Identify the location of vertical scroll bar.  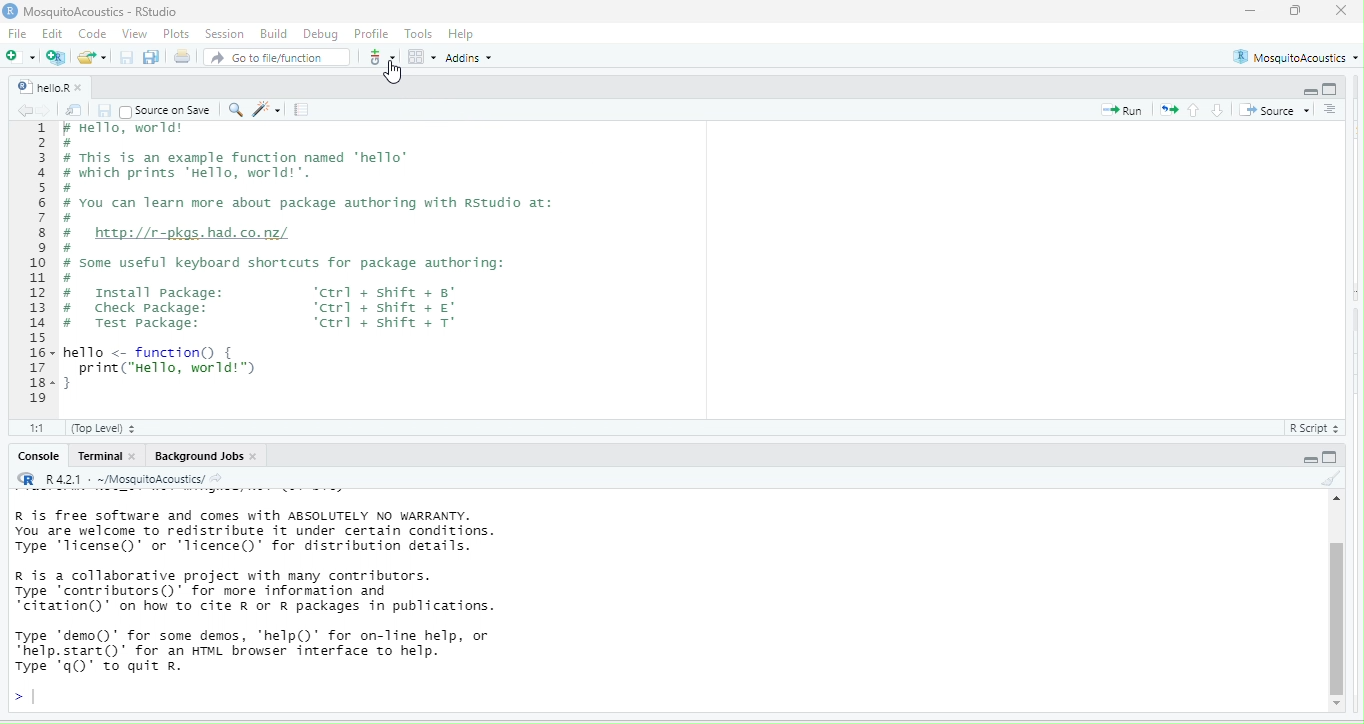
(1337, 603).